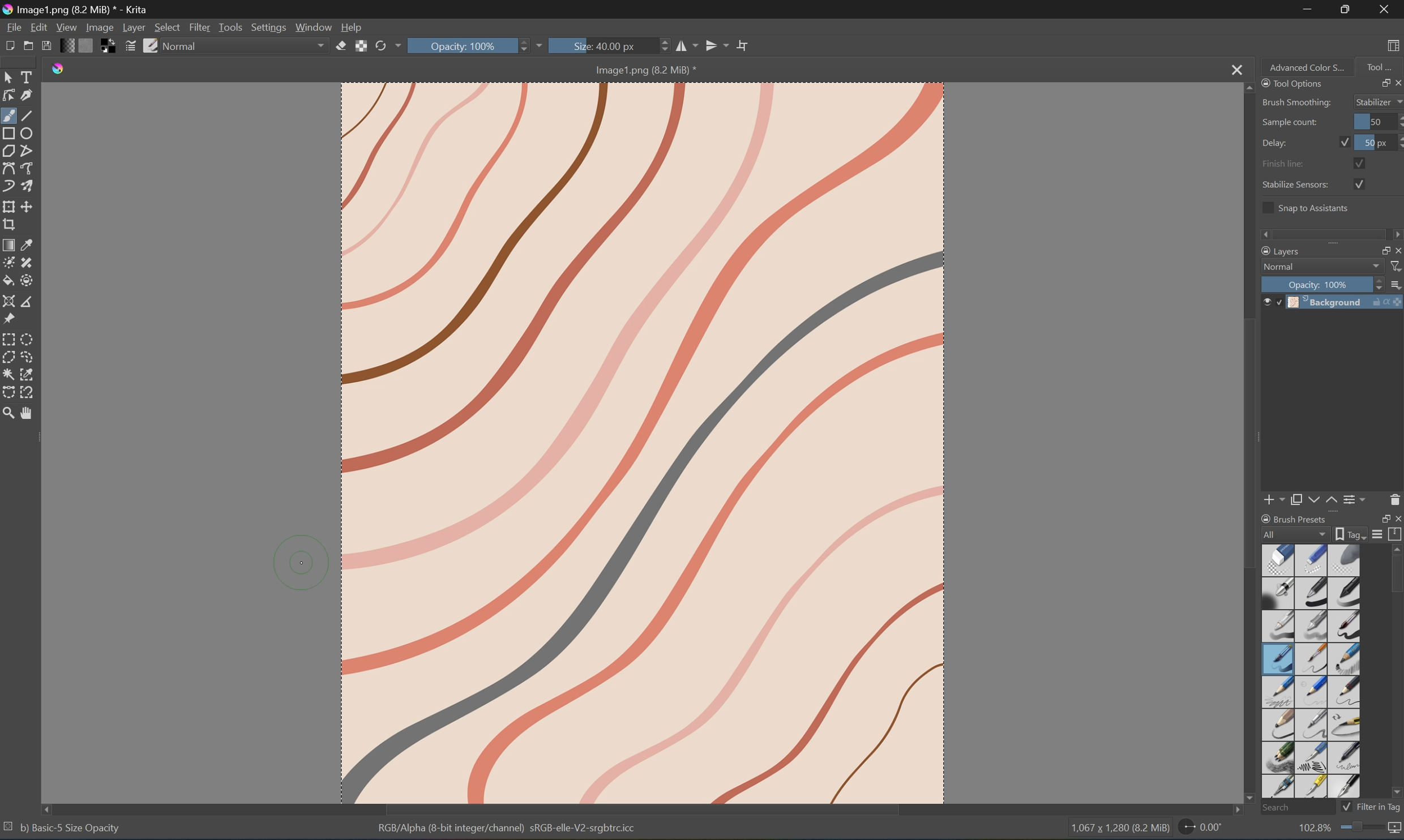 The width and height of the screenshot is (1404, 840). I want to click on Dynamic brush tool, so click(9, 186).